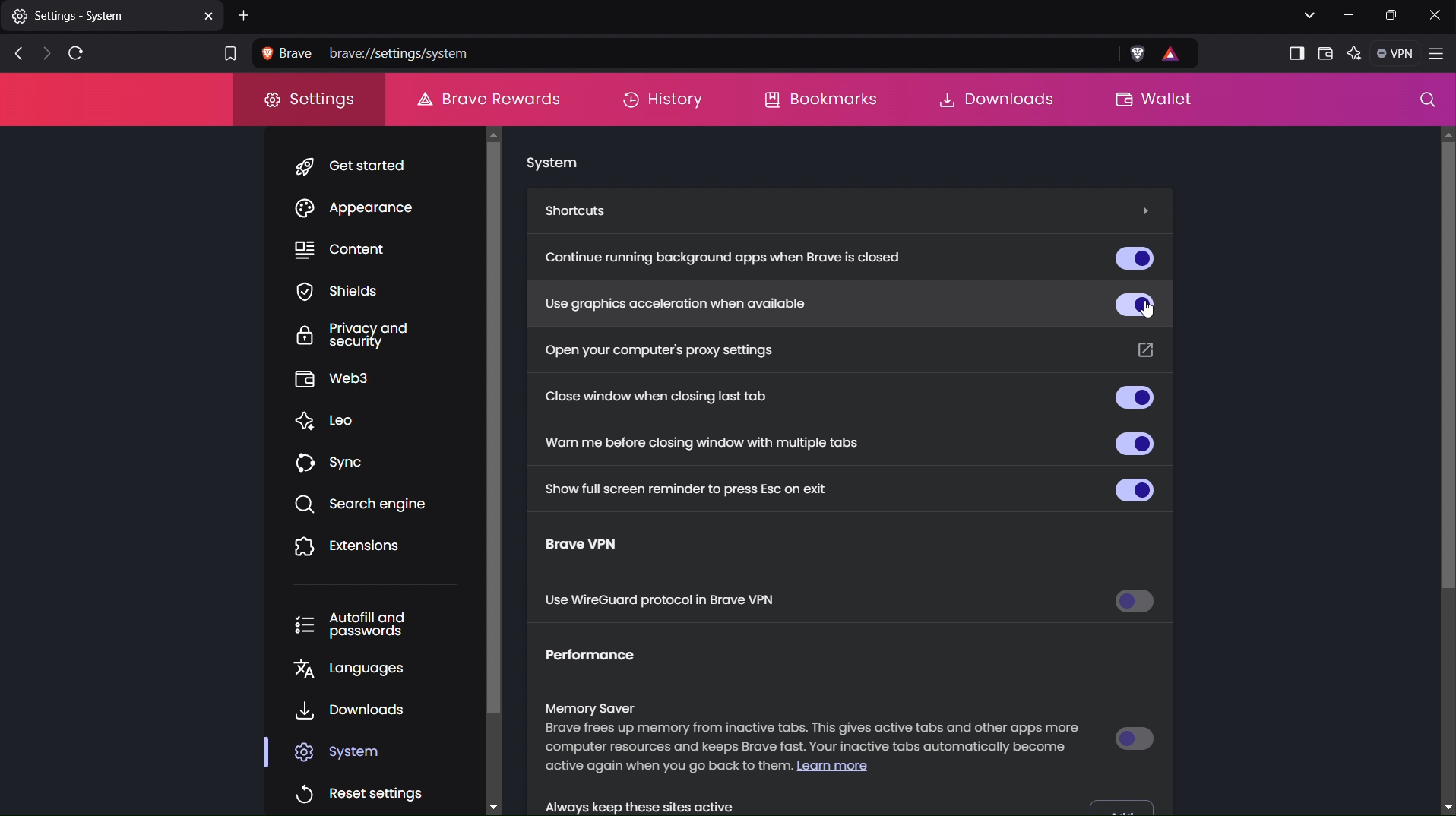 The width and height of the screenshot is (1456, 816). I want to click on Shields, so click(356, 291).